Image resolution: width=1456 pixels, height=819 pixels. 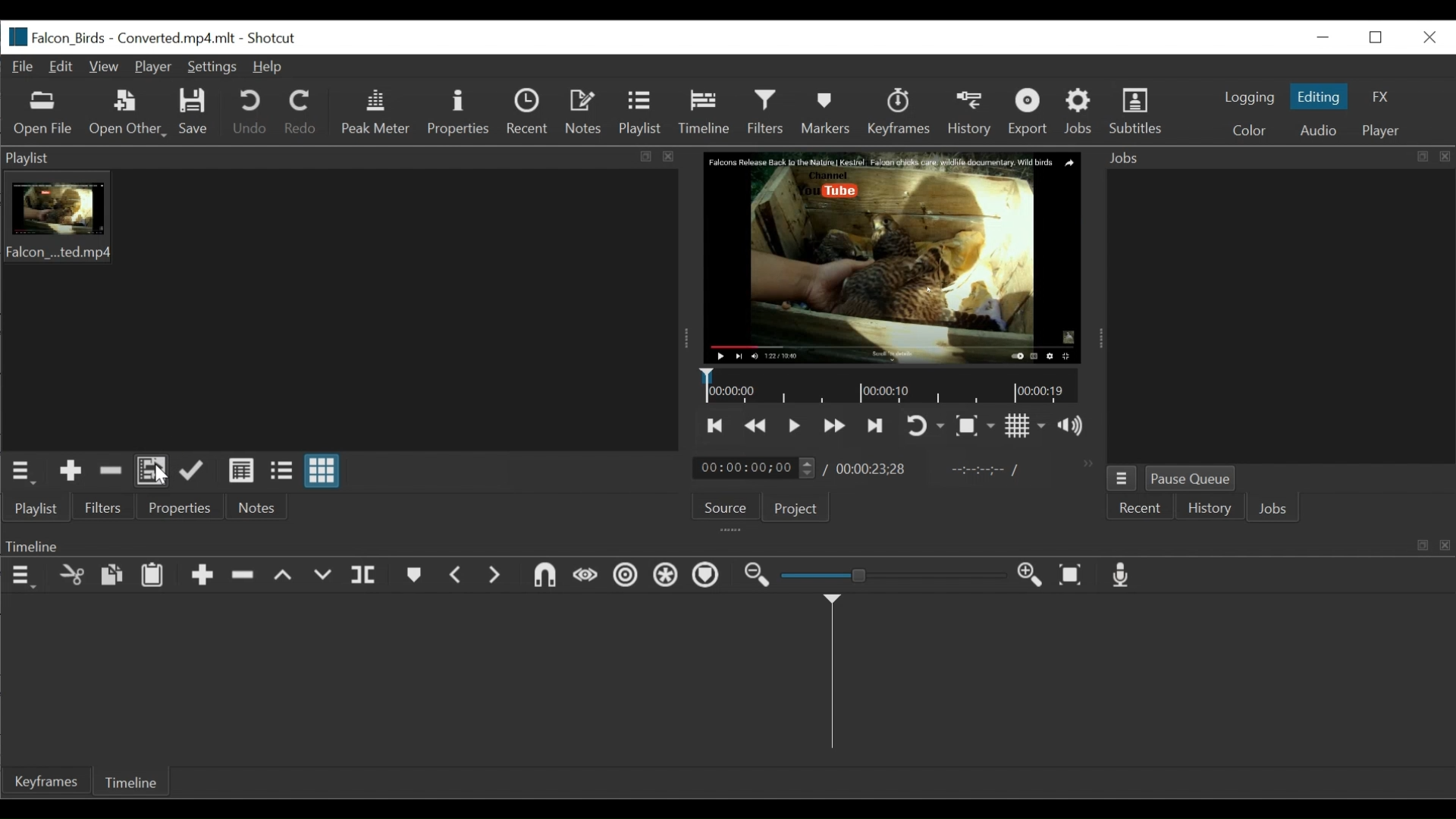 I want to click on Skip to the previous point, so click(x=718, y=428).